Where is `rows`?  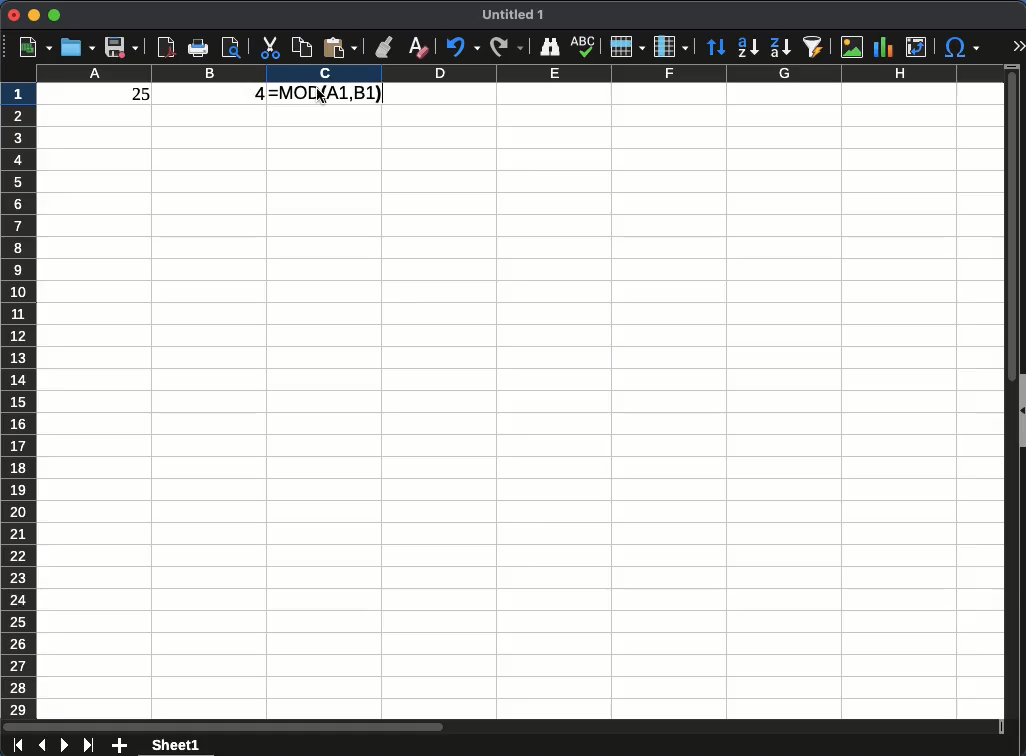 rows is located at coordinates (628, 46).